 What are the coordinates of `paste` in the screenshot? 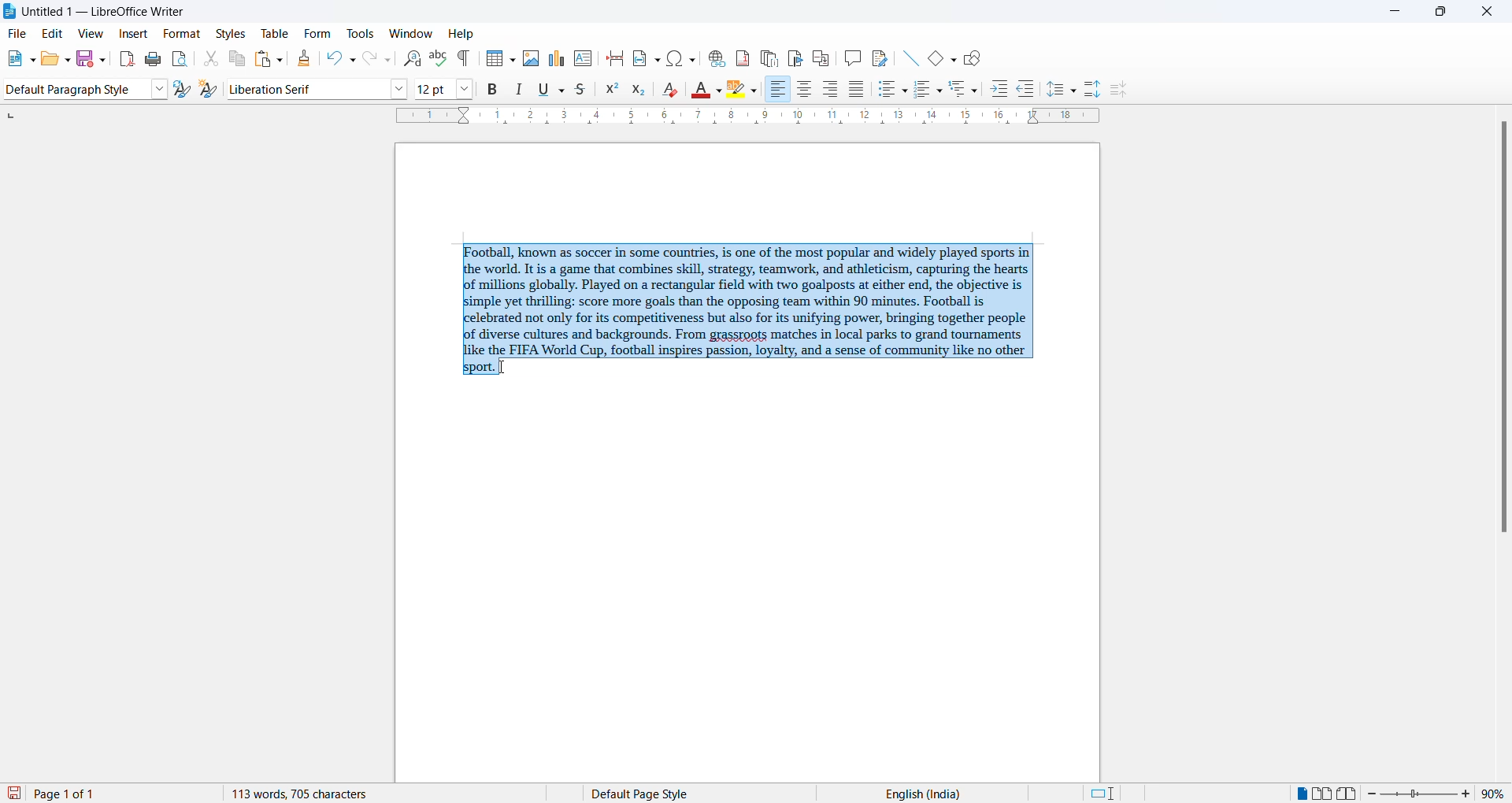 It's located at (262, 59).